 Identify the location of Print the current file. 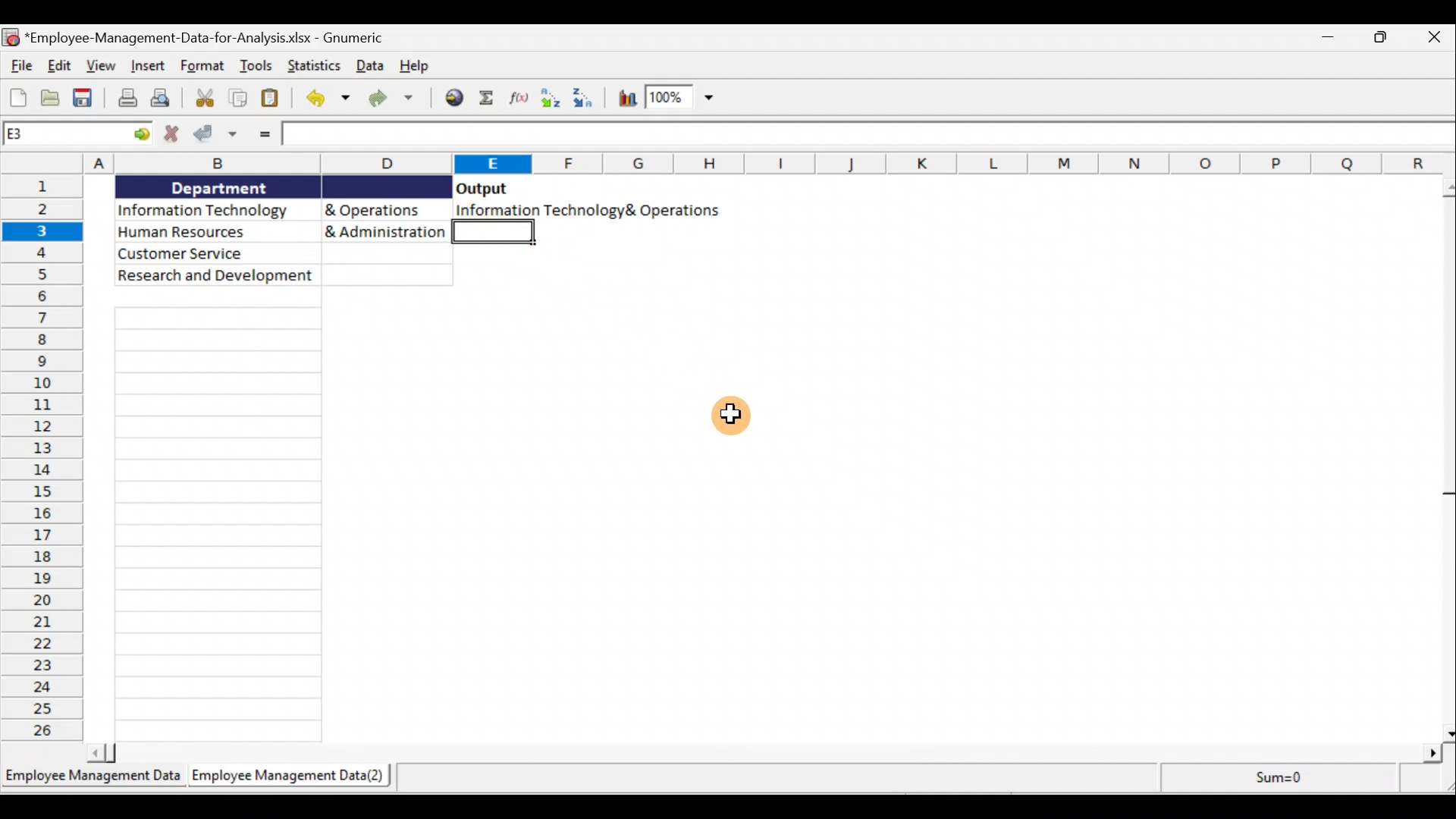
(125, 98).